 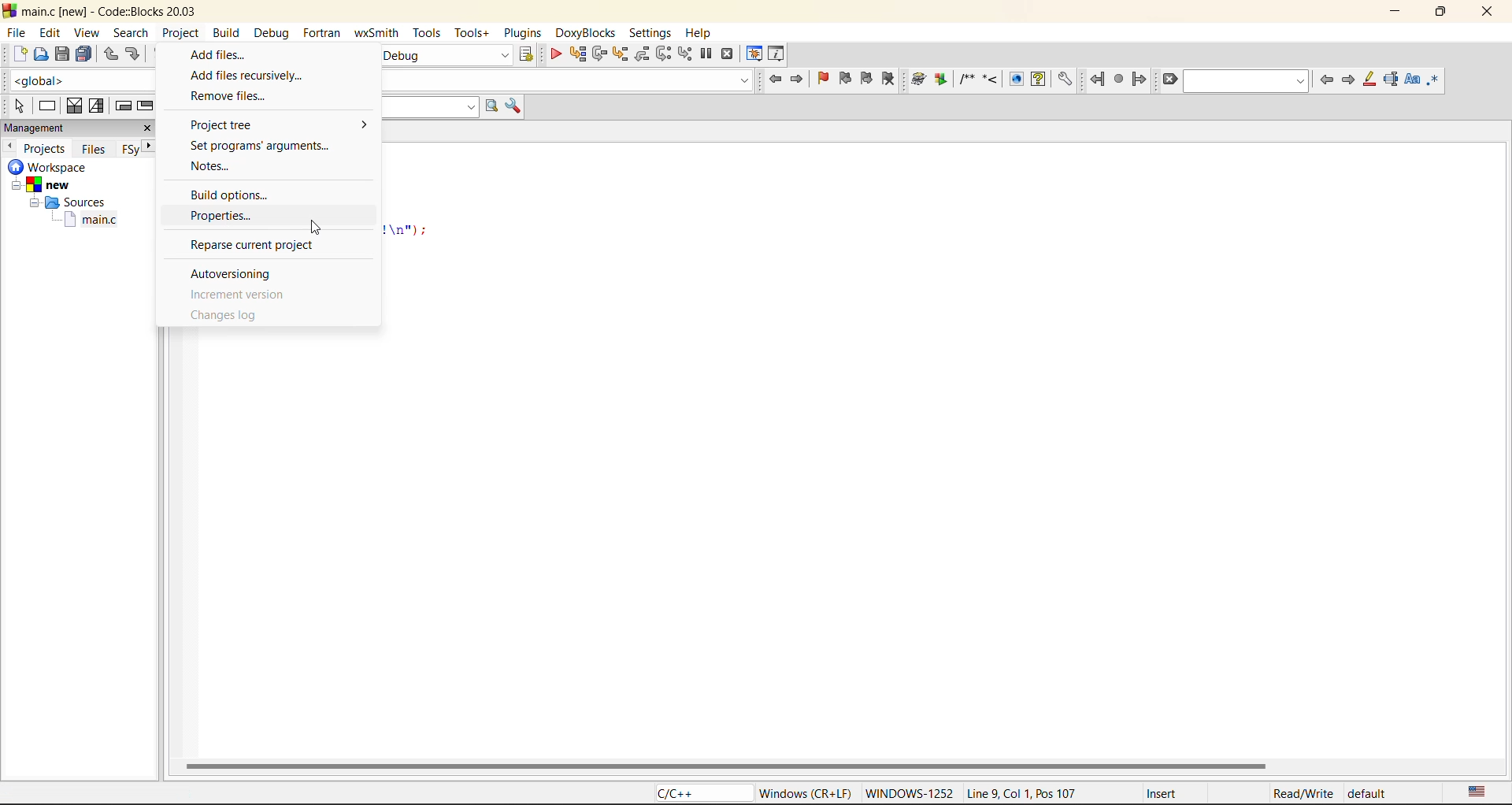 What do you see at coordinates (989, 79) in the screenshot?
I see `Insert a line comment at the current cursor position` at bounding box center [989, 79].